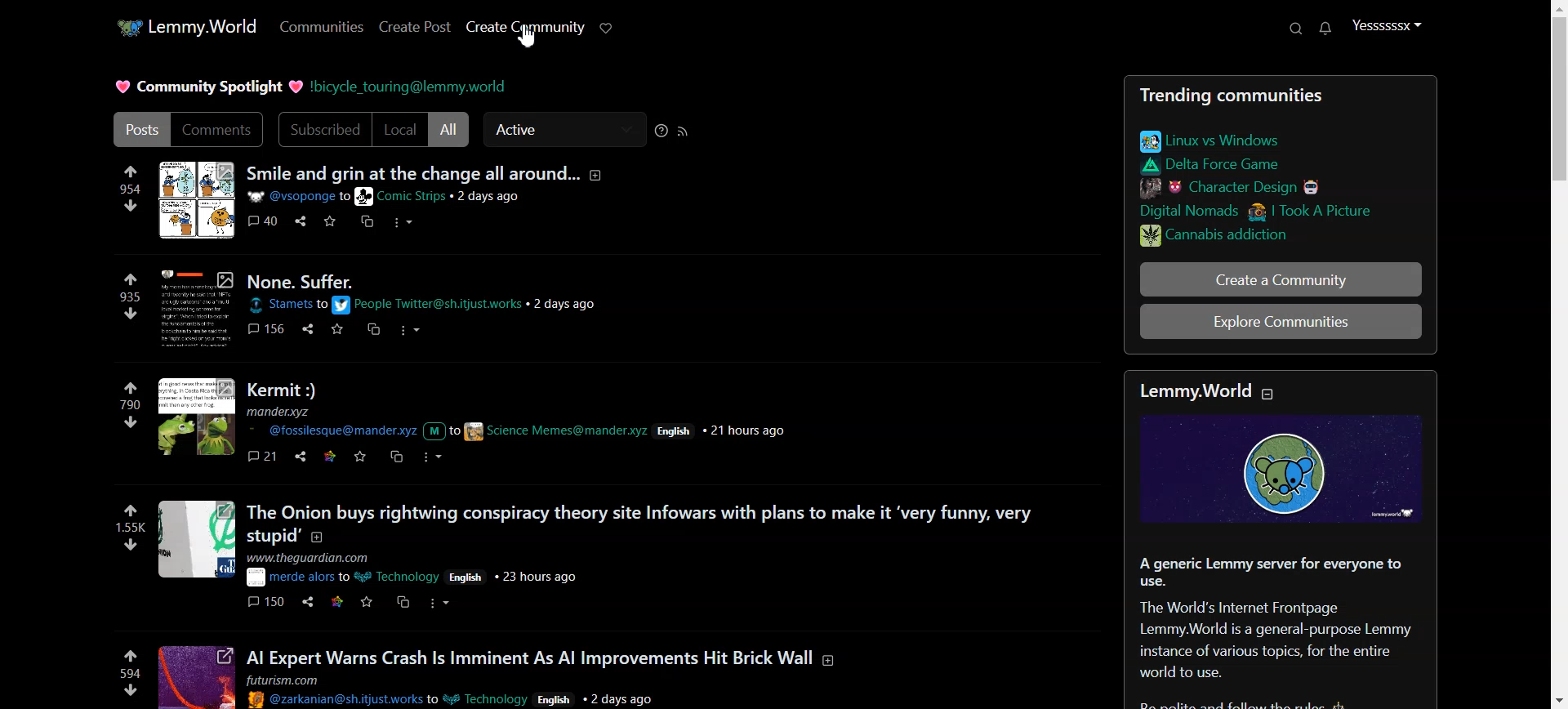 The height and width of the screenshot is (709, 1568). Describe the element at coordinates (318, 26) in the screenshot. I see `Communities` at that location.